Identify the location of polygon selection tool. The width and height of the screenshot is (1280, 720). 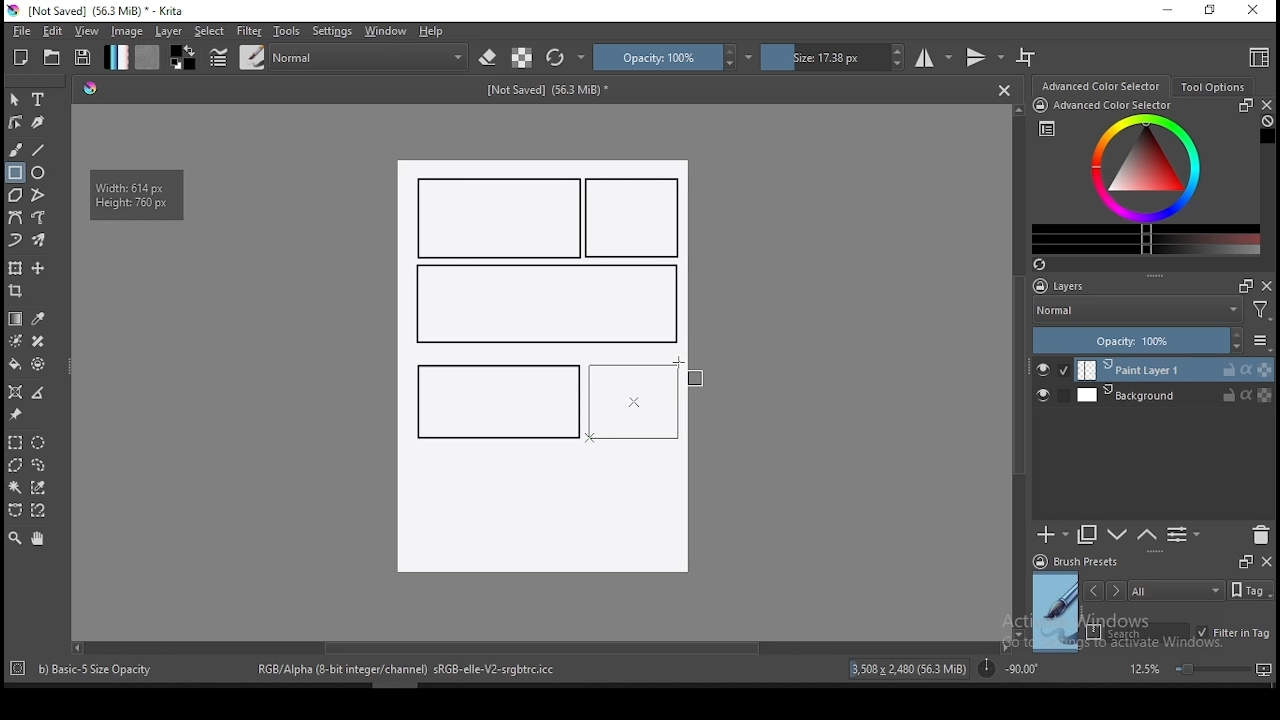
(16, 465).